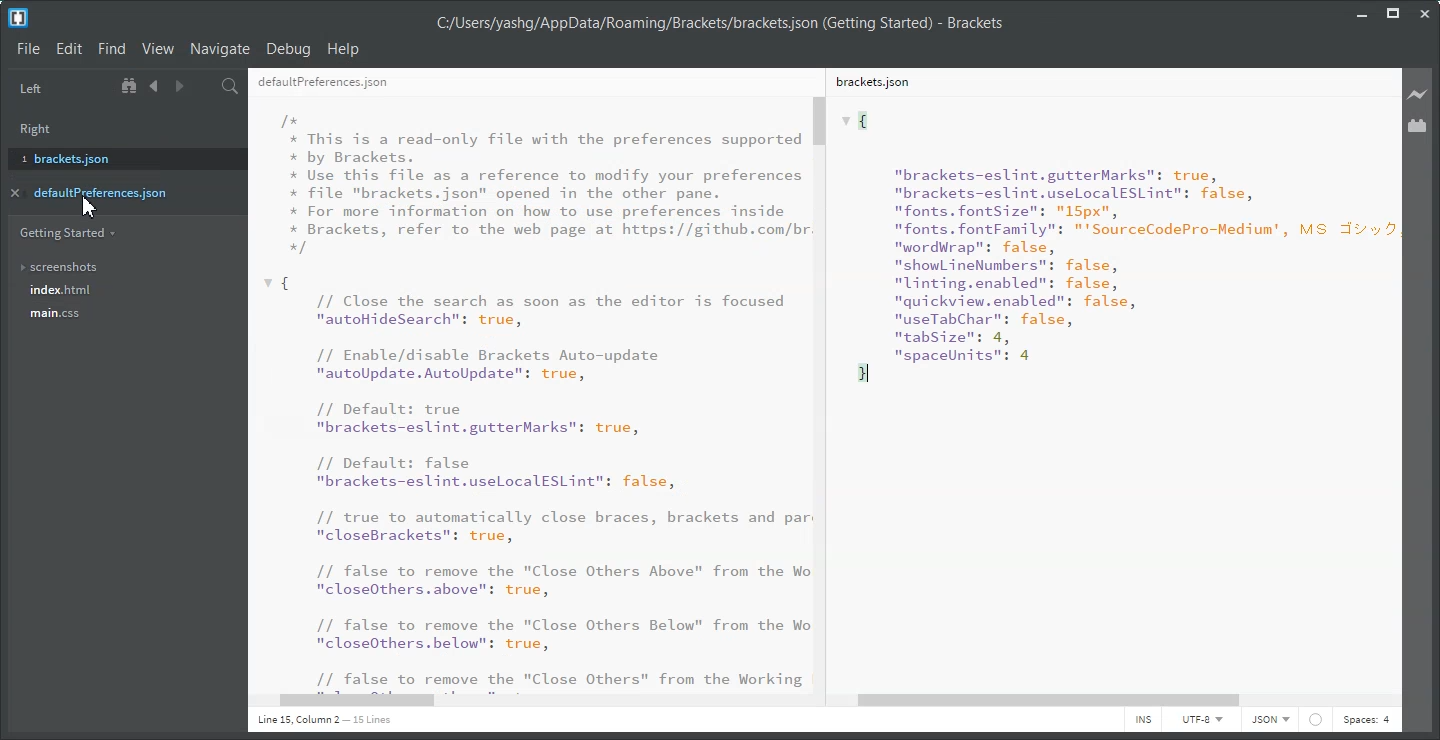  What do you see at coordinates (1363, 12) in the screenshot?
I see `Minimize` at bounding box center [1363, 12].